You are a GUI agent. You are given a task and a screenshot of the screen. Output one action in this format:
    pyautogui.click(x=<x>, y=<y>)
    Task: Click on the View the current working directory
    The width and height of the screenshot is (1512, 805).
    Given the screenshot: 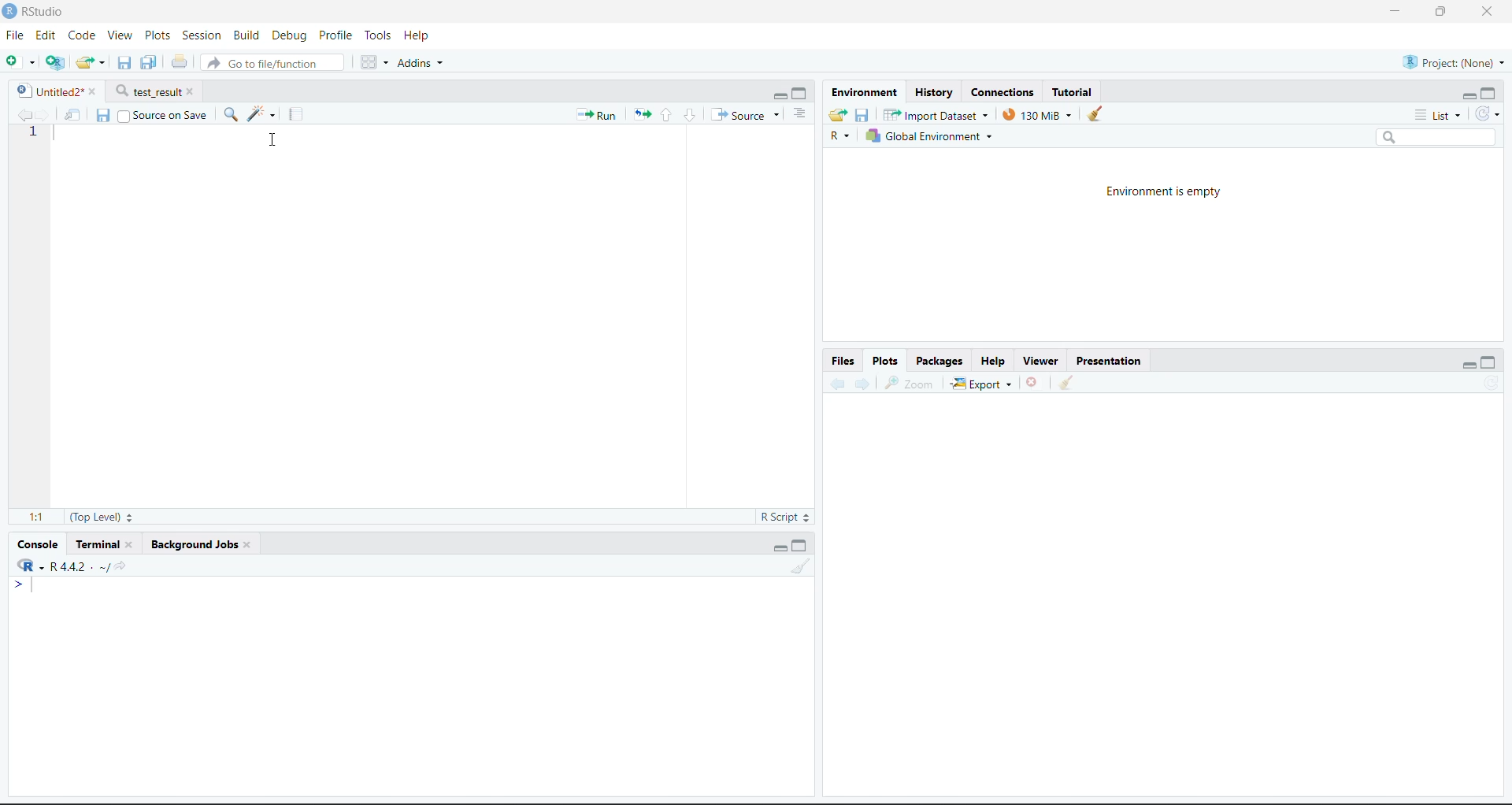 What is the action you would take?
    pyautogui.click(x=123, y=564)
    